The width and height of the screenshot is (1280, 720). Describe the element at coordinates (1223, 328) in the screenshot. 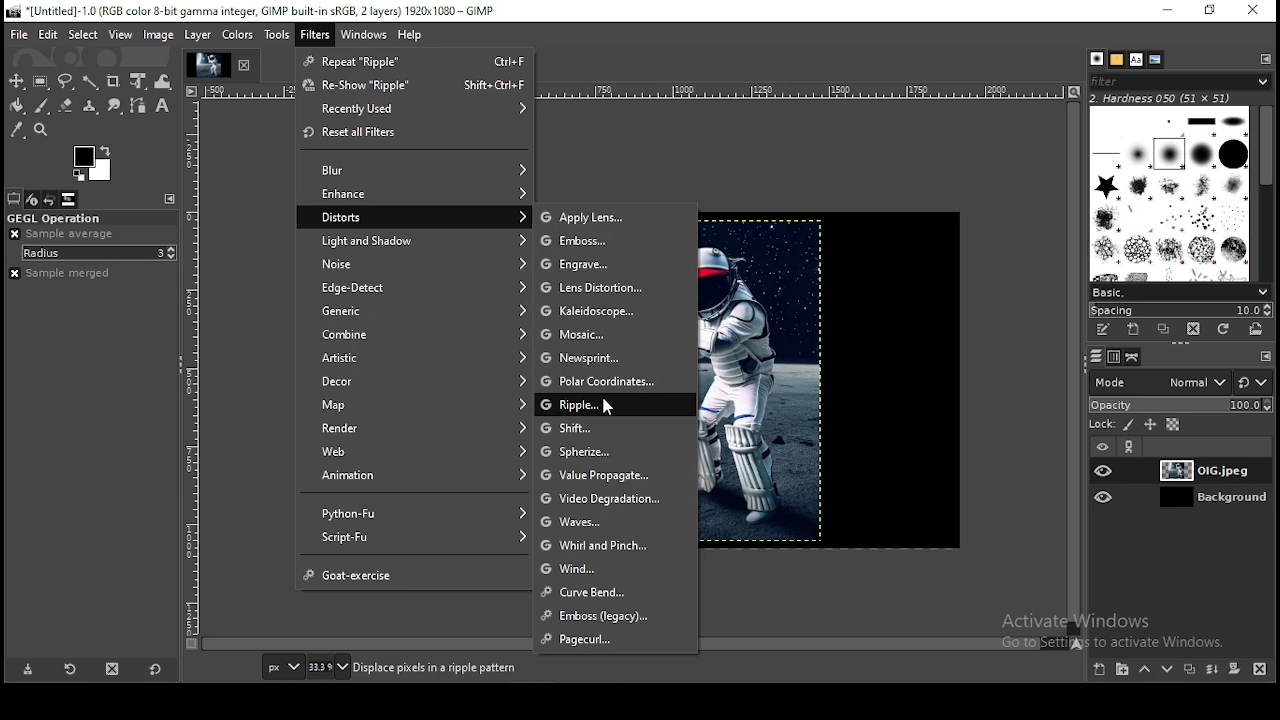

I see `refresh brushes` at that location.